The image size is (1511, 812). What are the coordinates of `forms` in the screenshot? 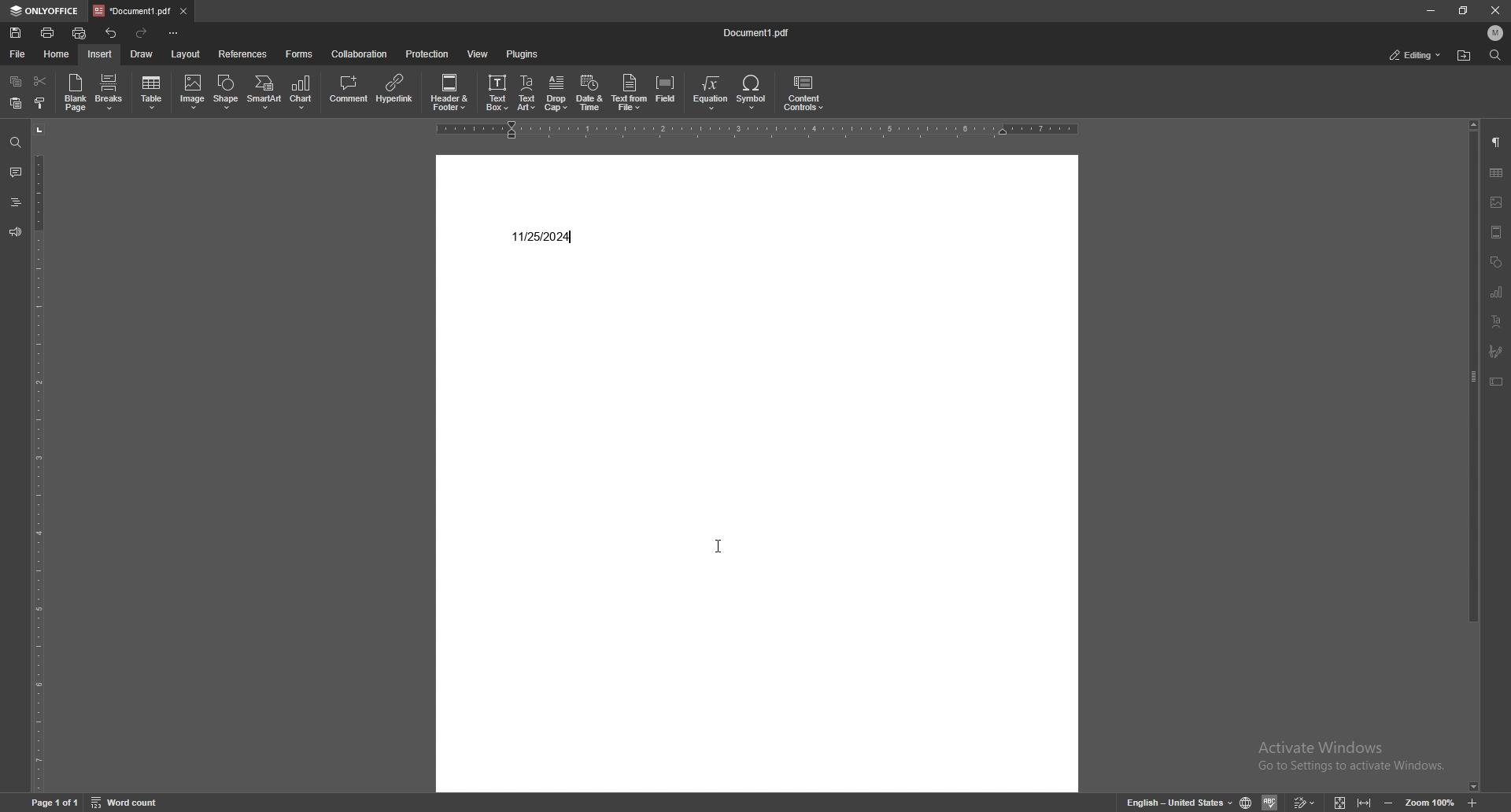 It's located at (299, 54).